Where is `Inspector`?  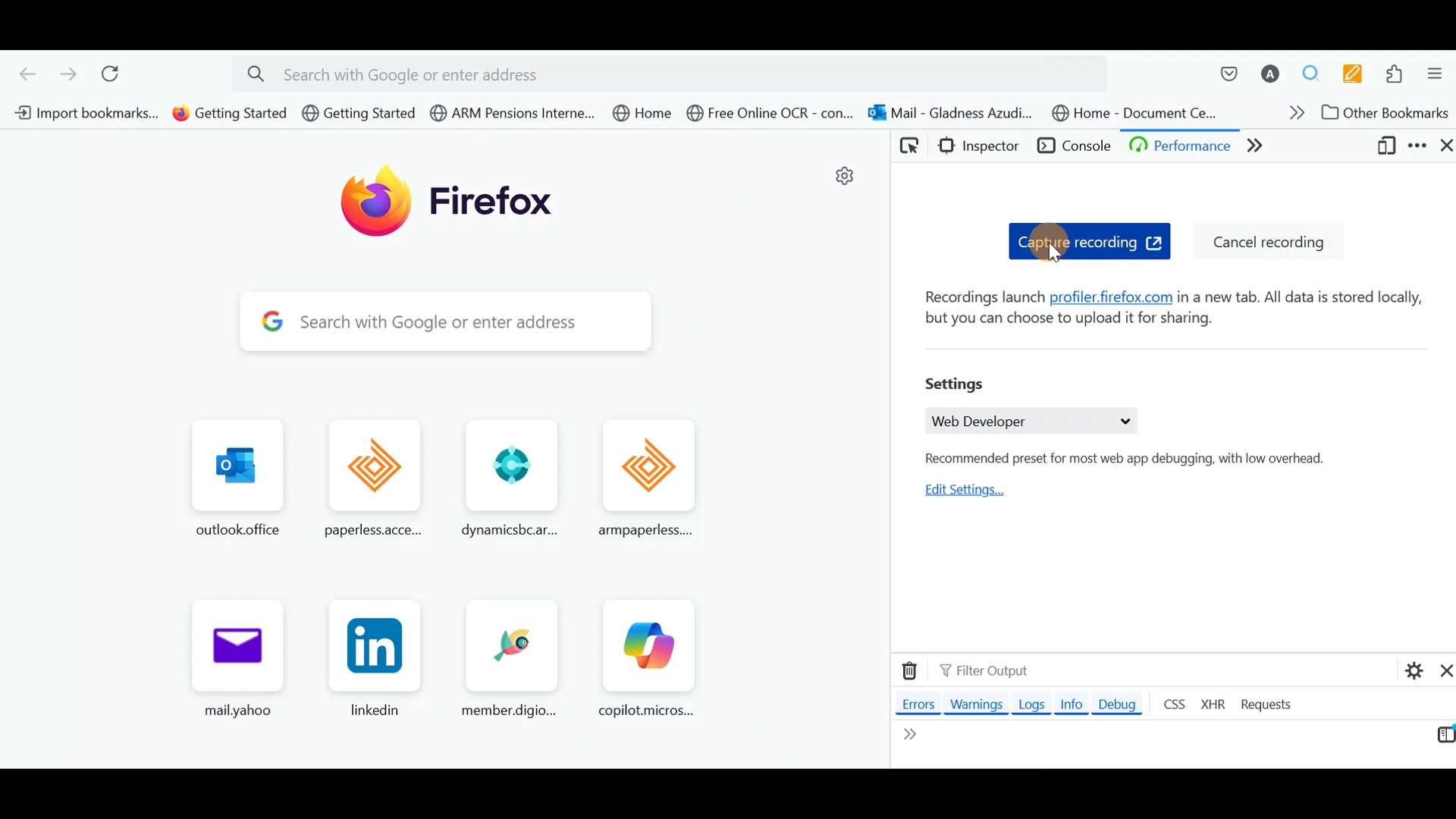 Inspector is located at coordinates (984, 146).